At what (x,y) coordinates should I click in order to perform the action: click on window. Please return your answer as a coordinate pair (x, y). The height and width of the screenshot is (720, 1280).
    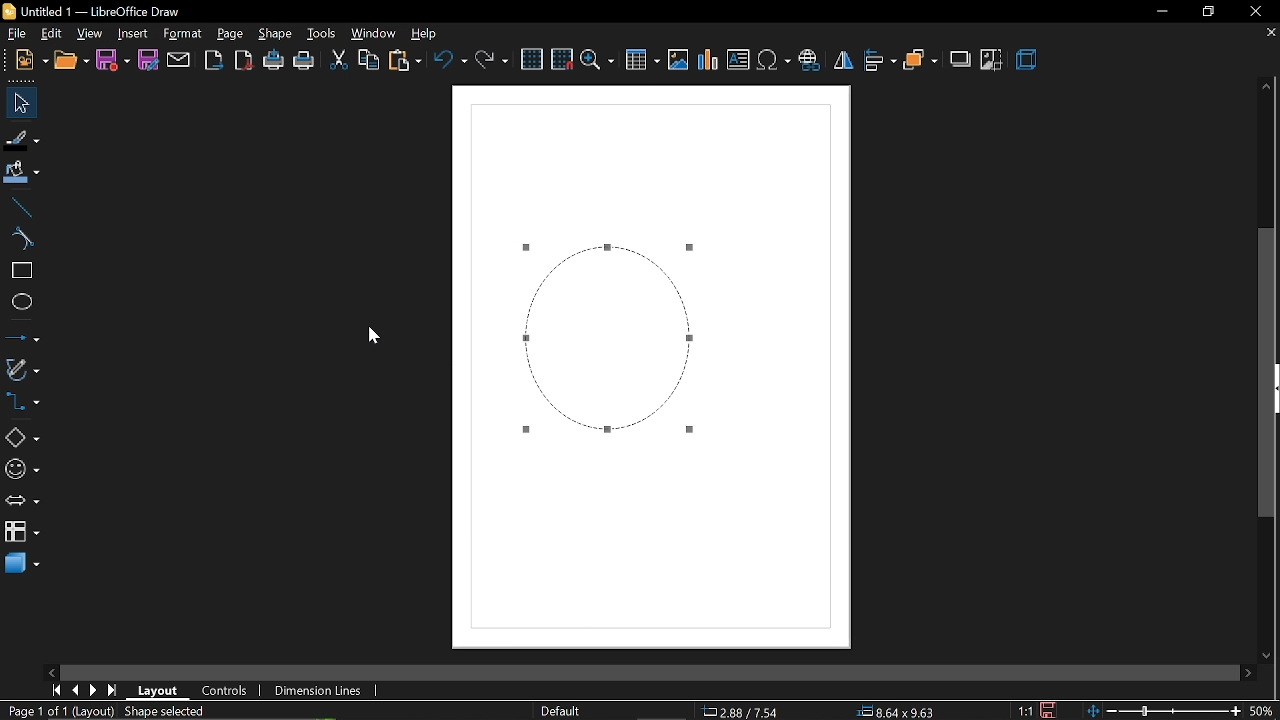
    Looking at the image, I should click on (371, 33).